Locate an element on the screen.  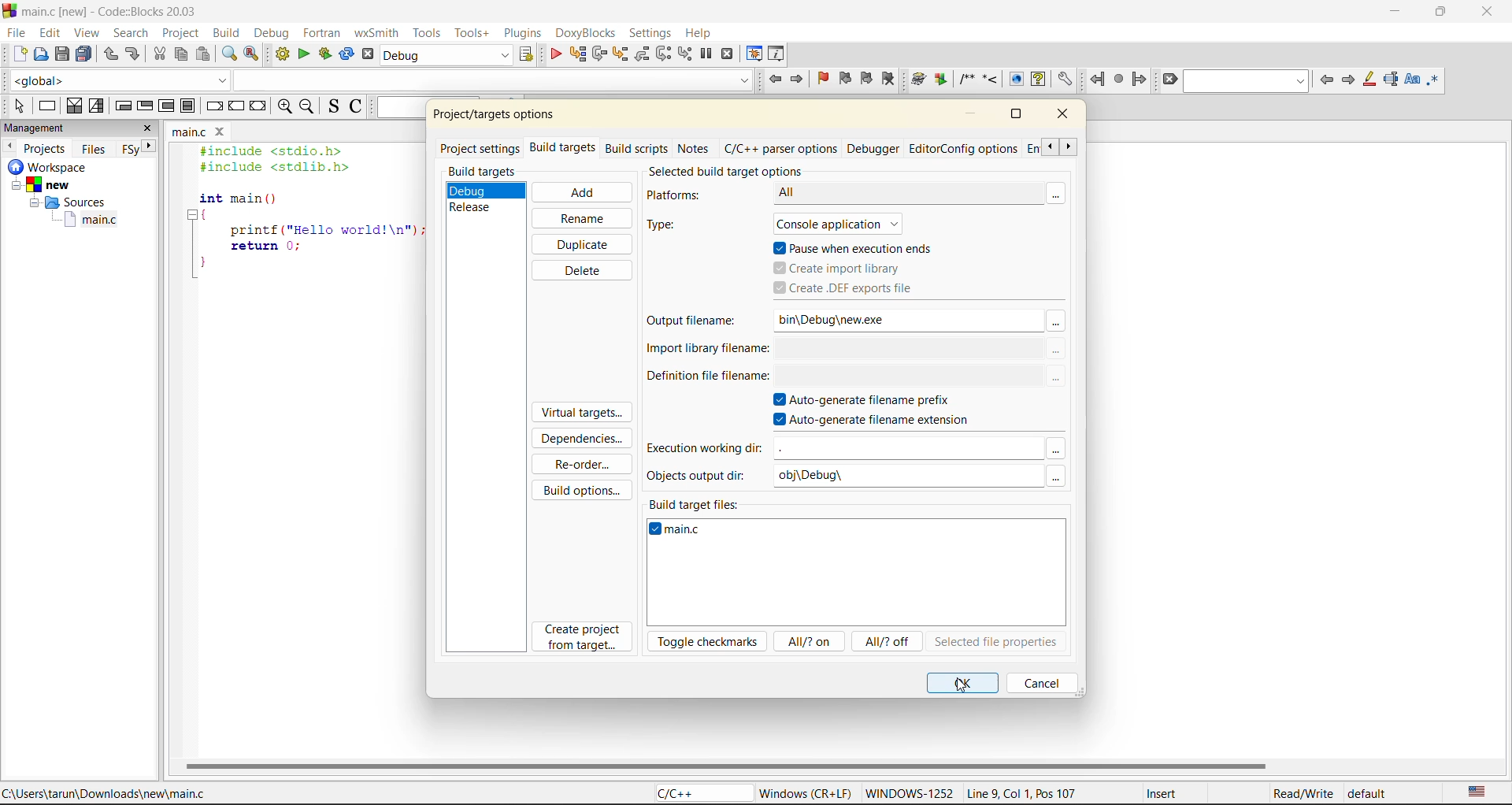
Insert is located at coordinates (1161, 793).